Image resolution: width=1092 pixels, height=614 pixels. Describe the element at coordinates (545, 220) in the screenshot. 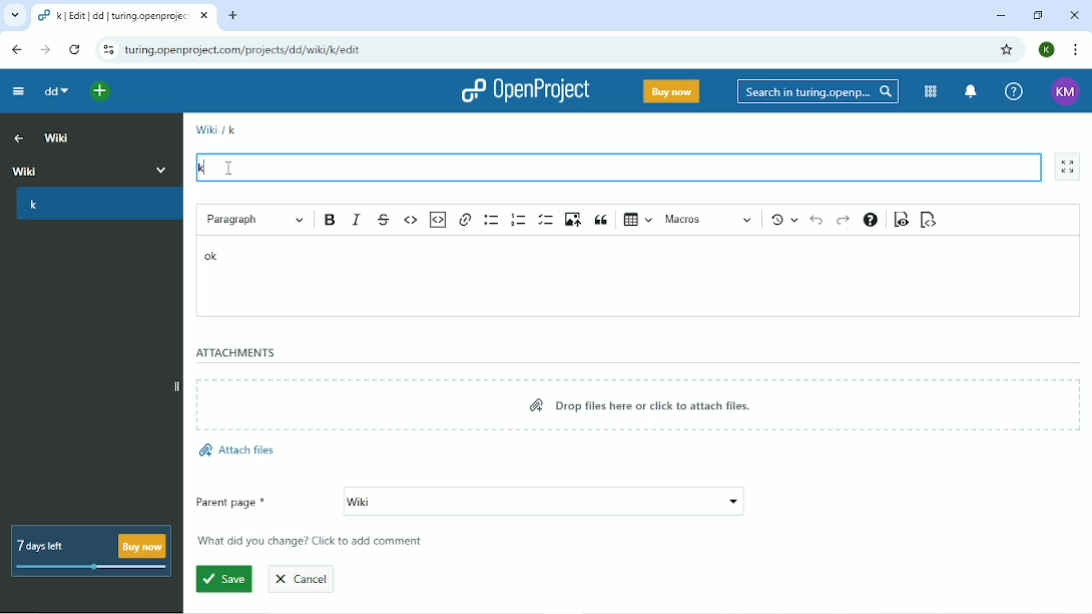

I see `To-do list` at that location.